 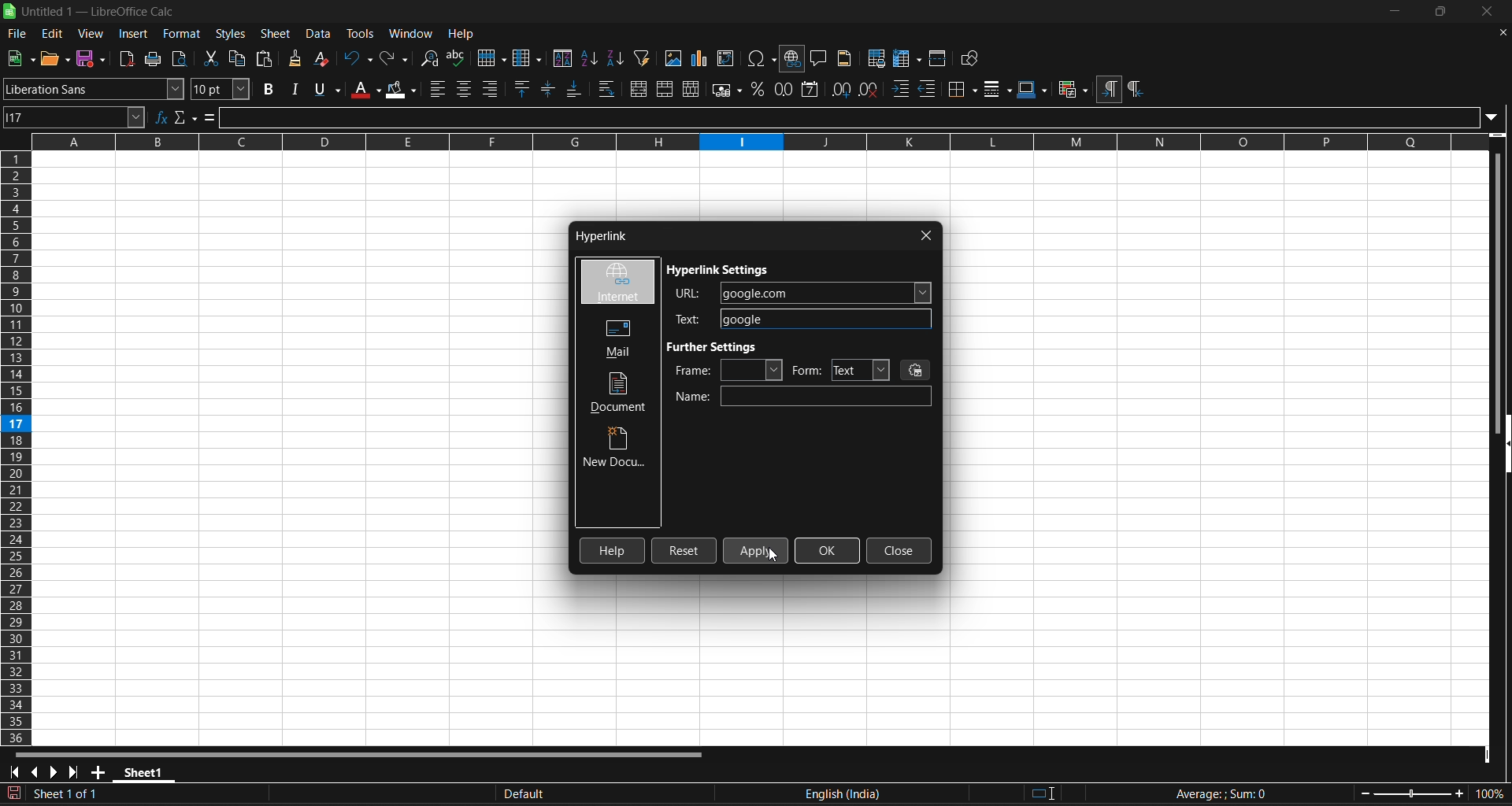 What do you see at coordinates (728, 370) in the screenshot?
I see `frame` at bounding box center [728, 370].